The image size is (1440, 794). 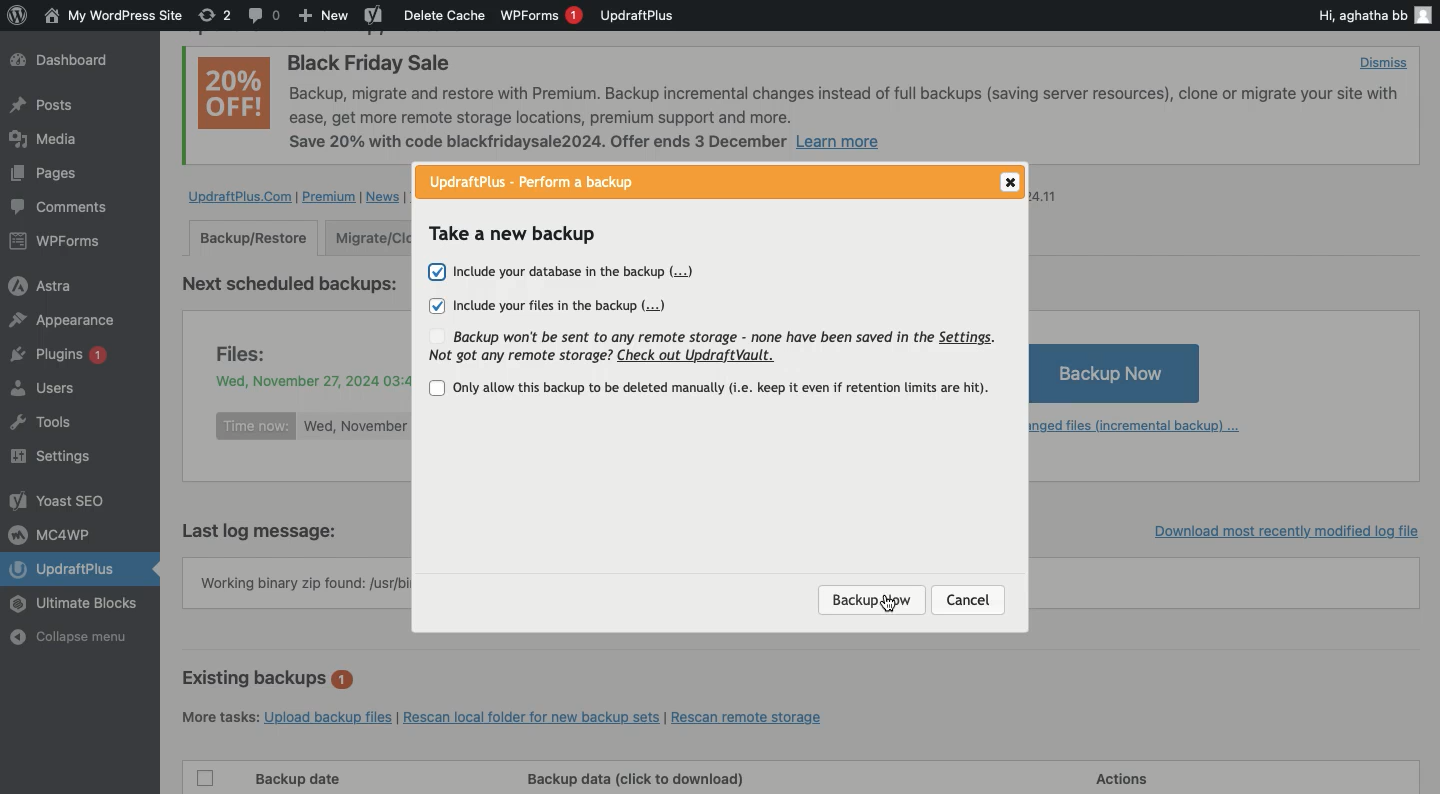 I want to click on Tools, so click(x=54, y=422).